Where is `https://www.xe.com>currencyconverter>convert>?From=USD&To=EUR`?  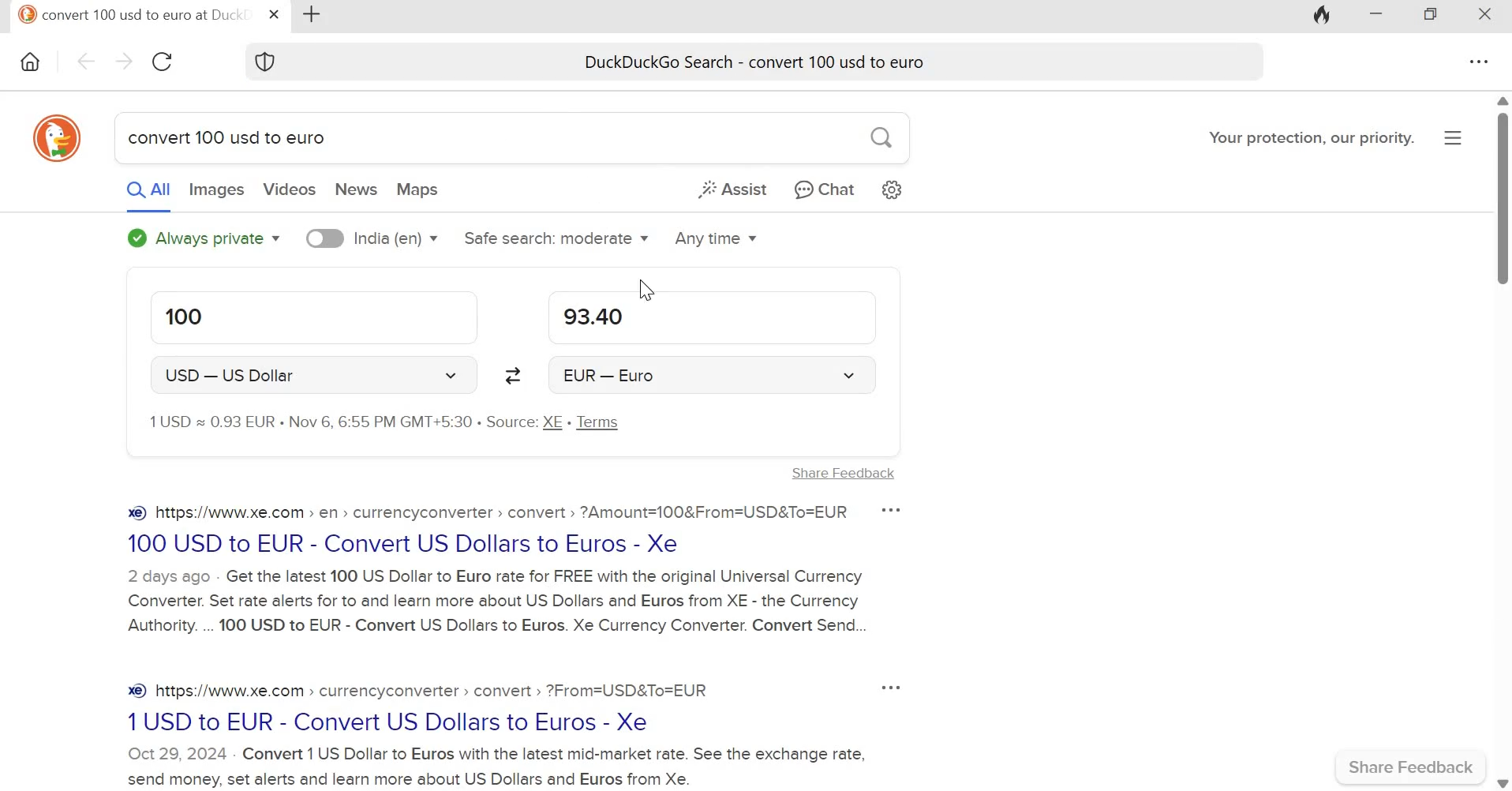
https://www.xe.com>currencyconverter>convert>?From=USD&To=EUR is located at coordinates (414, 691).